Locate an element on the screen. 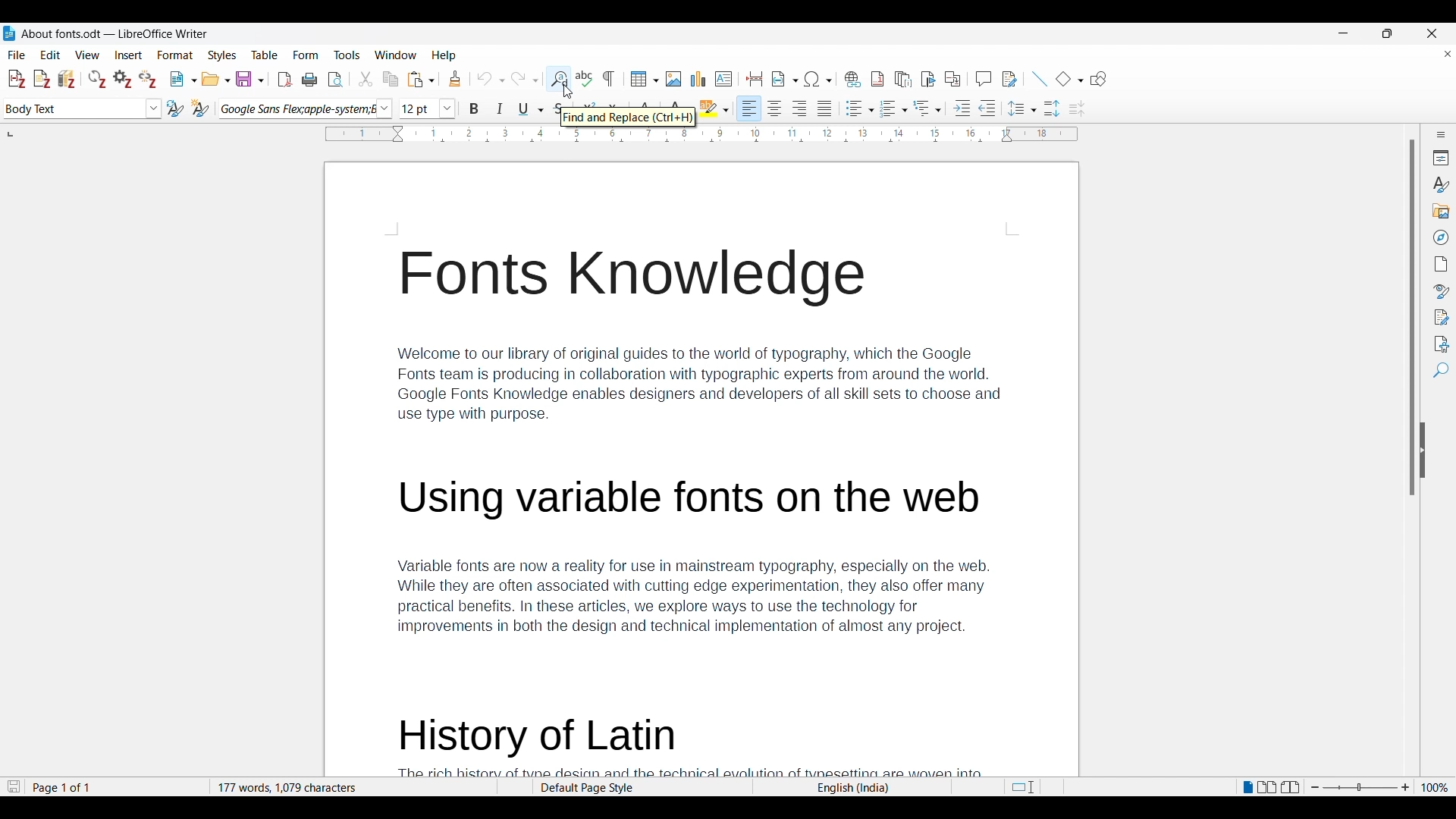  File menu is located at coordinates (17, 55).